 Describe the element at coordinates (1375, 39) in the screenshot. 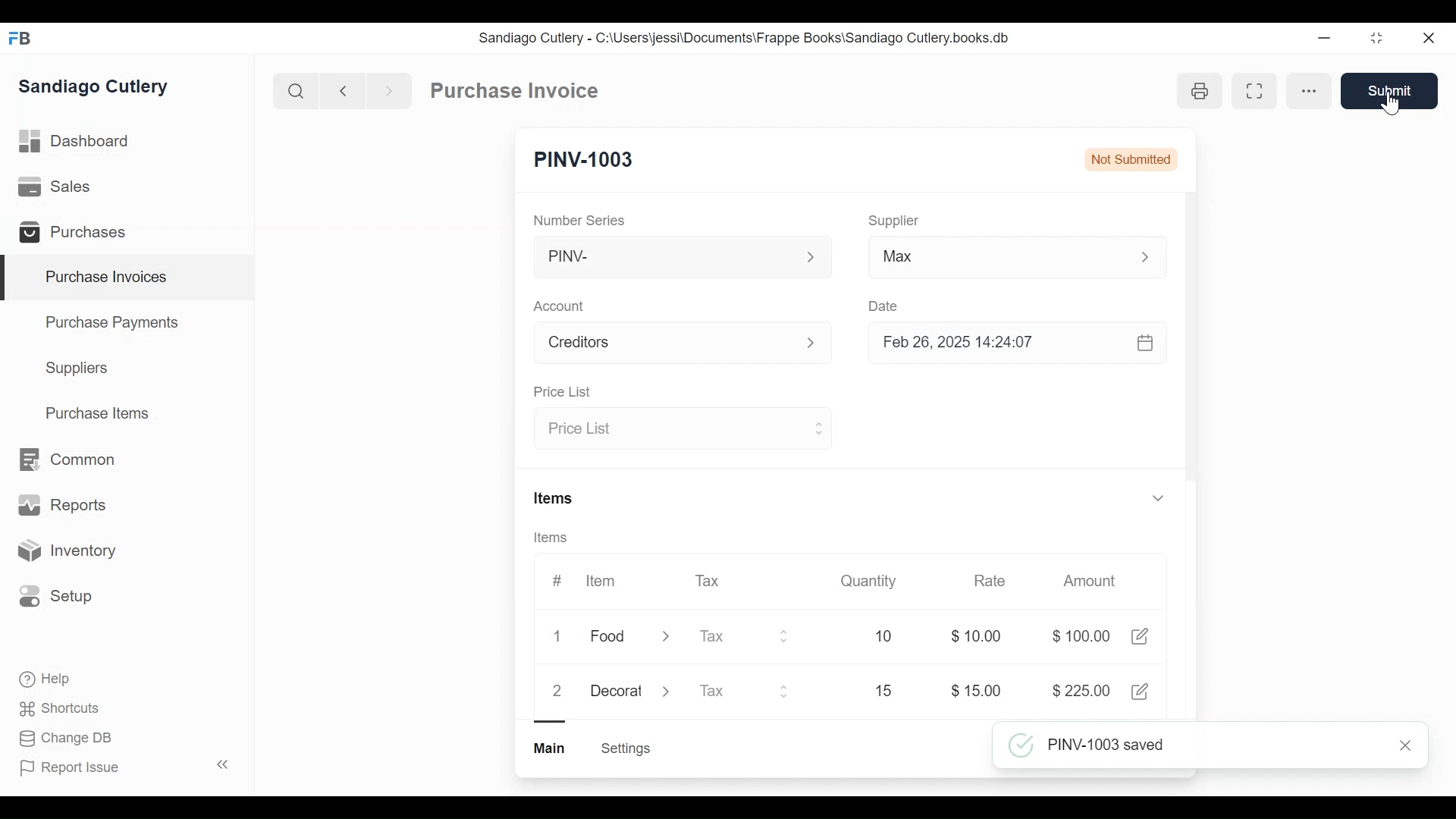

I see `restore` at that location.